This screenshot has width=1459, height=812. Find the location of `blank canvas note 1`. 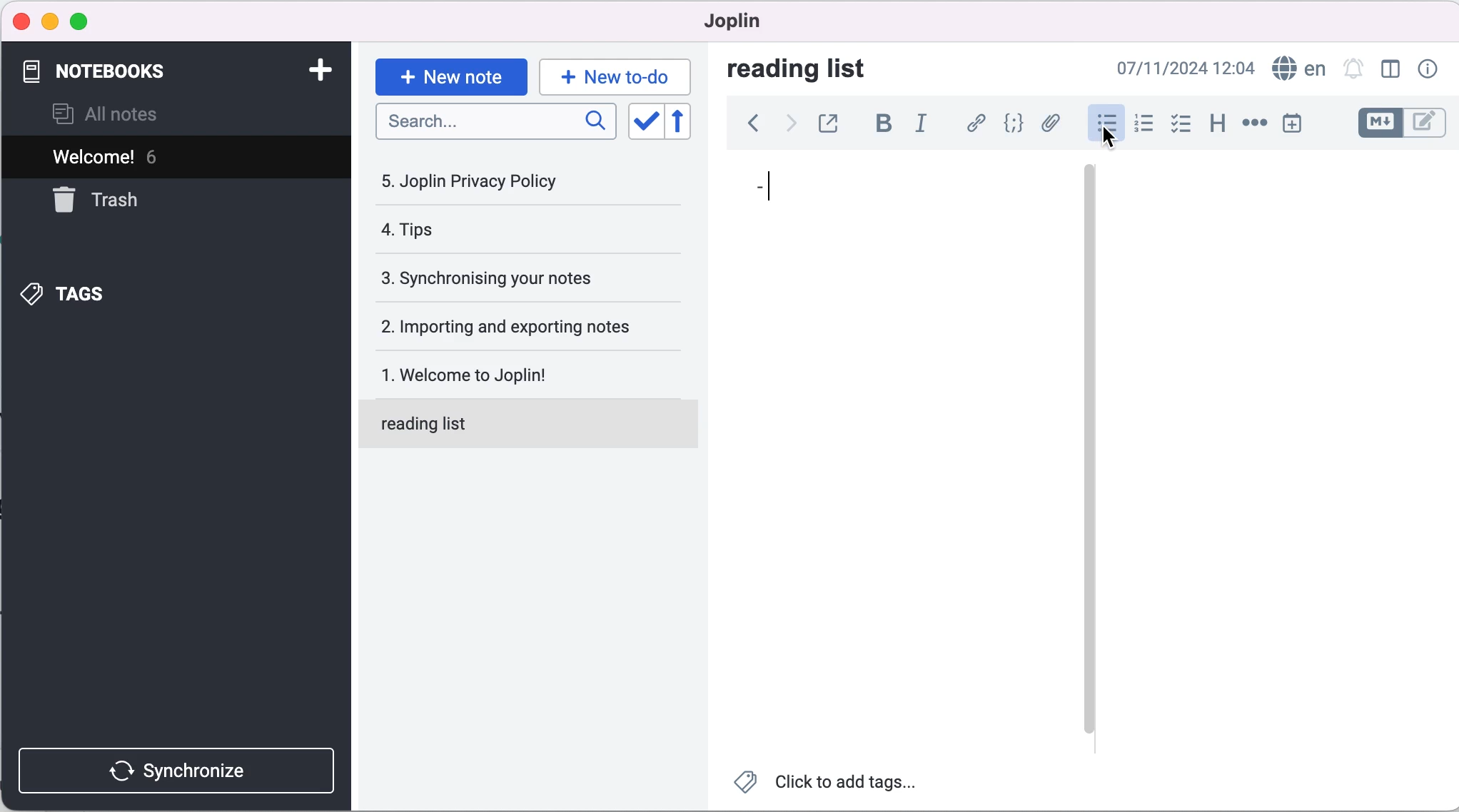

blank canvas note 1 is located at coordinates (893, 489).